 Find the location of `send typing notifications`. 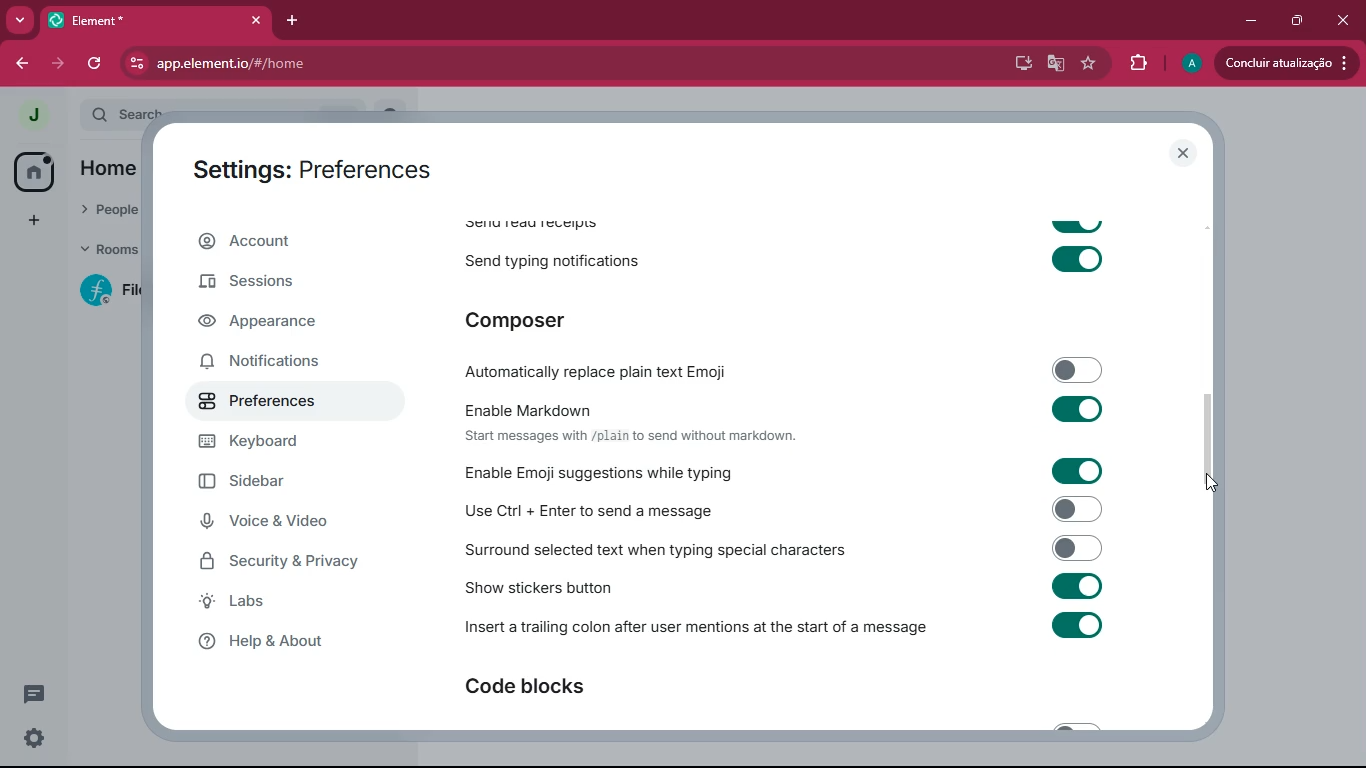

send typing notifications is located at coordinates (791, 257).